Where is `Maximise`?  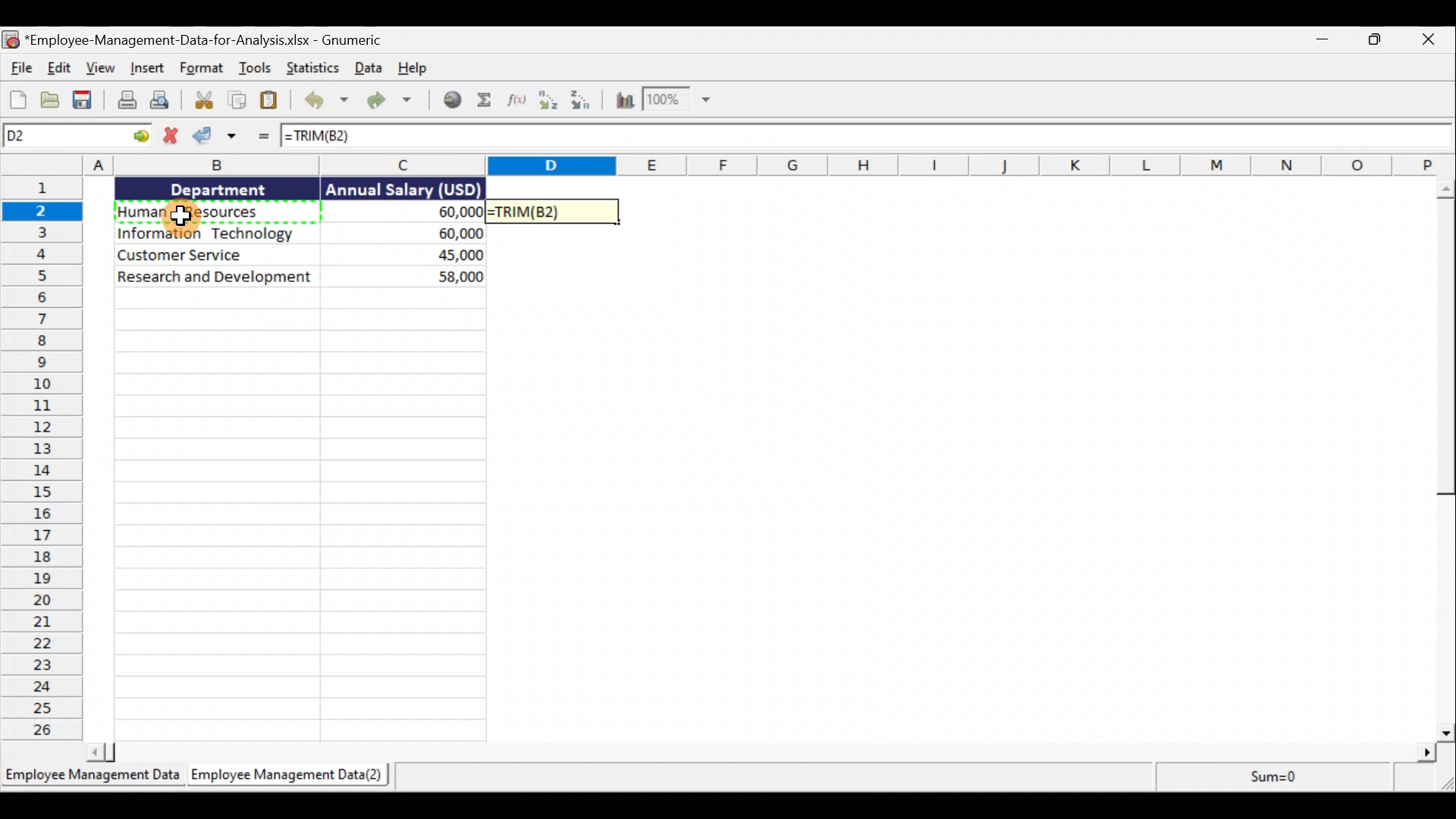
Maximise is located at coordinates (1369, 45).